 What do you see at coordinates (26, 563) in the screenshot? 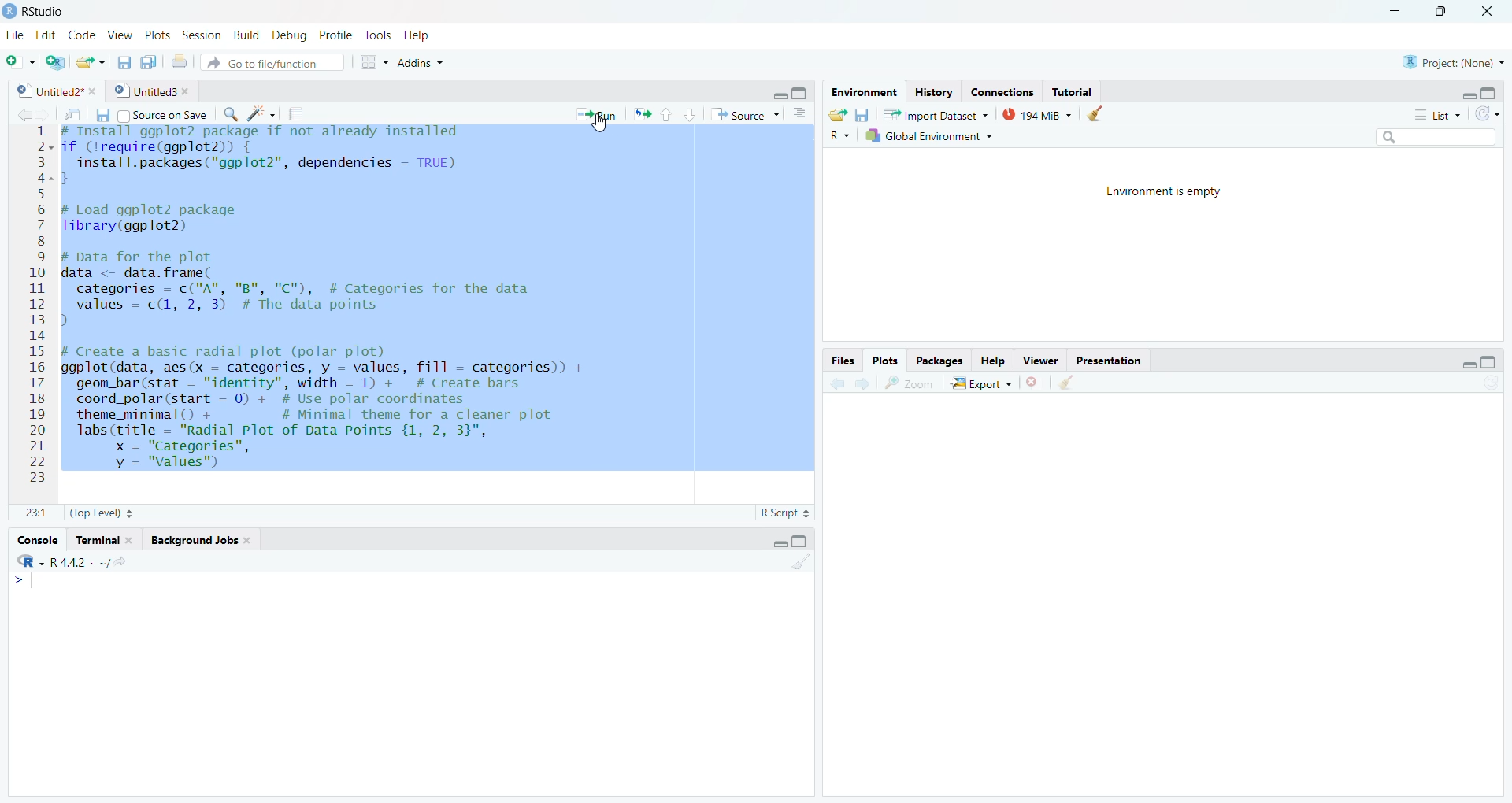
I see `R` at bounding box center [26, 563].